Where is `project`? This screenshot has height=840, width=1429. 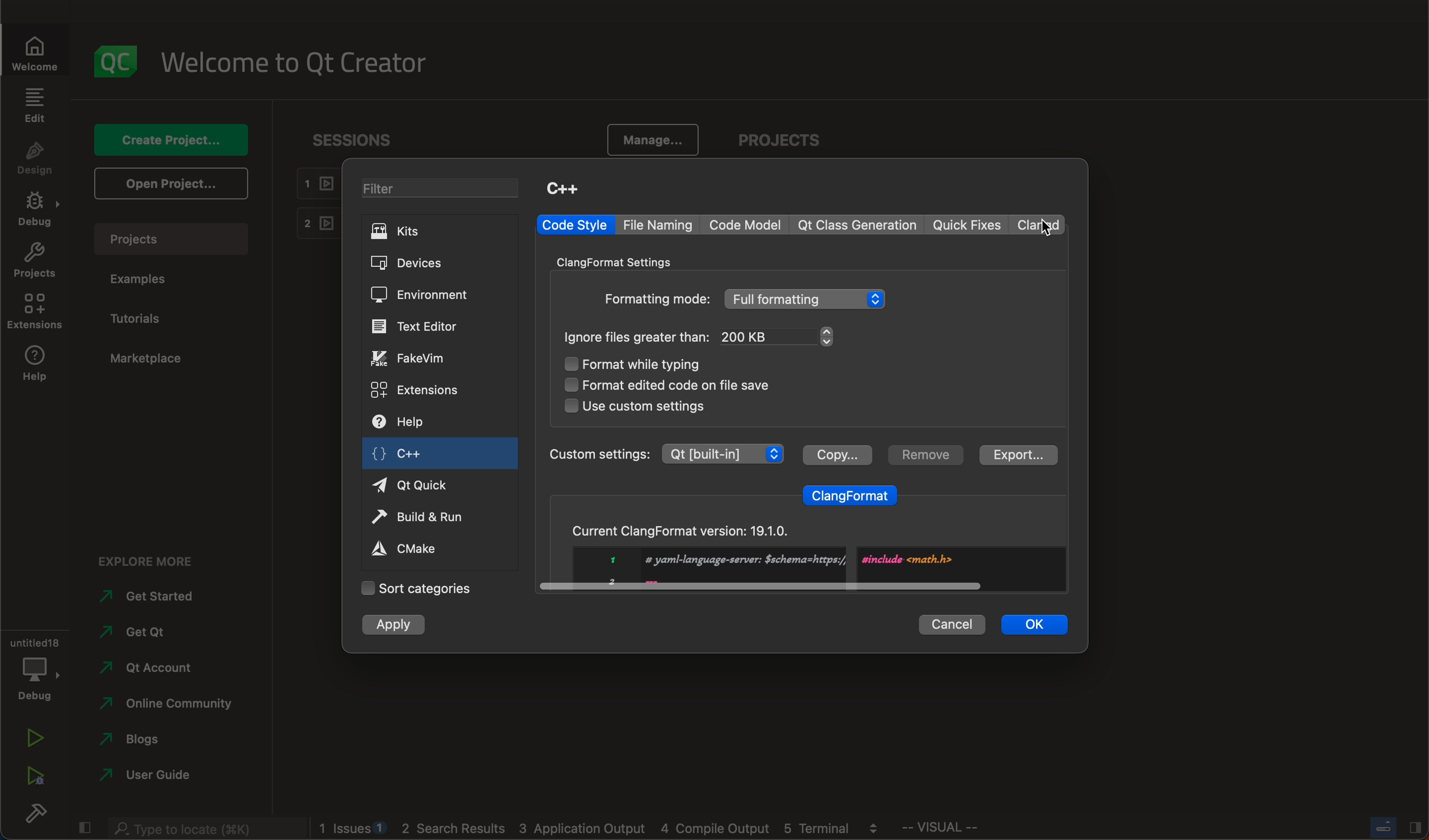
project is located at coordinates (793, 135).